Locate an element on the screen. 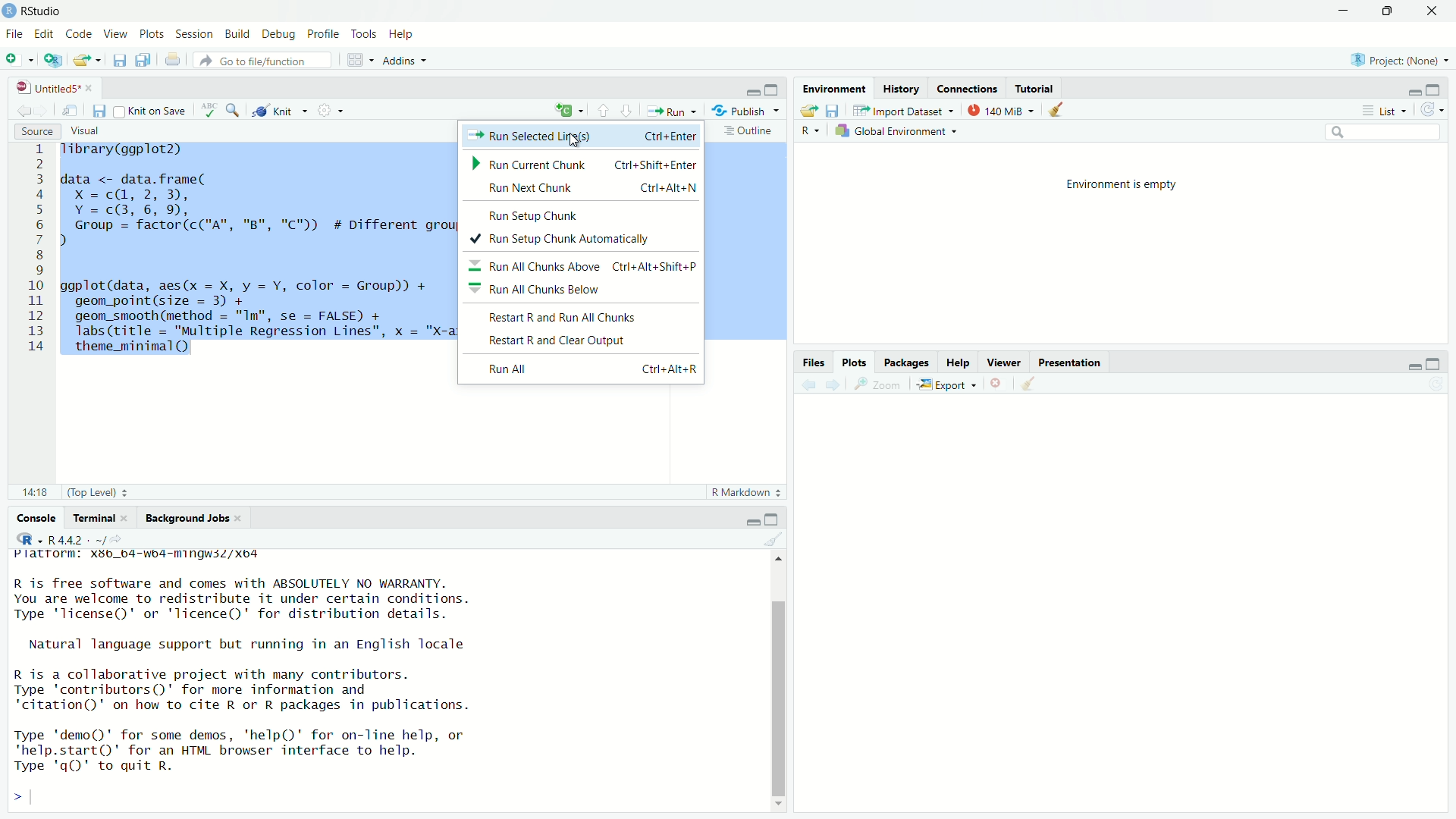 The image size is (1456, 819). Tutorial is located at coordinates (1040, 86).